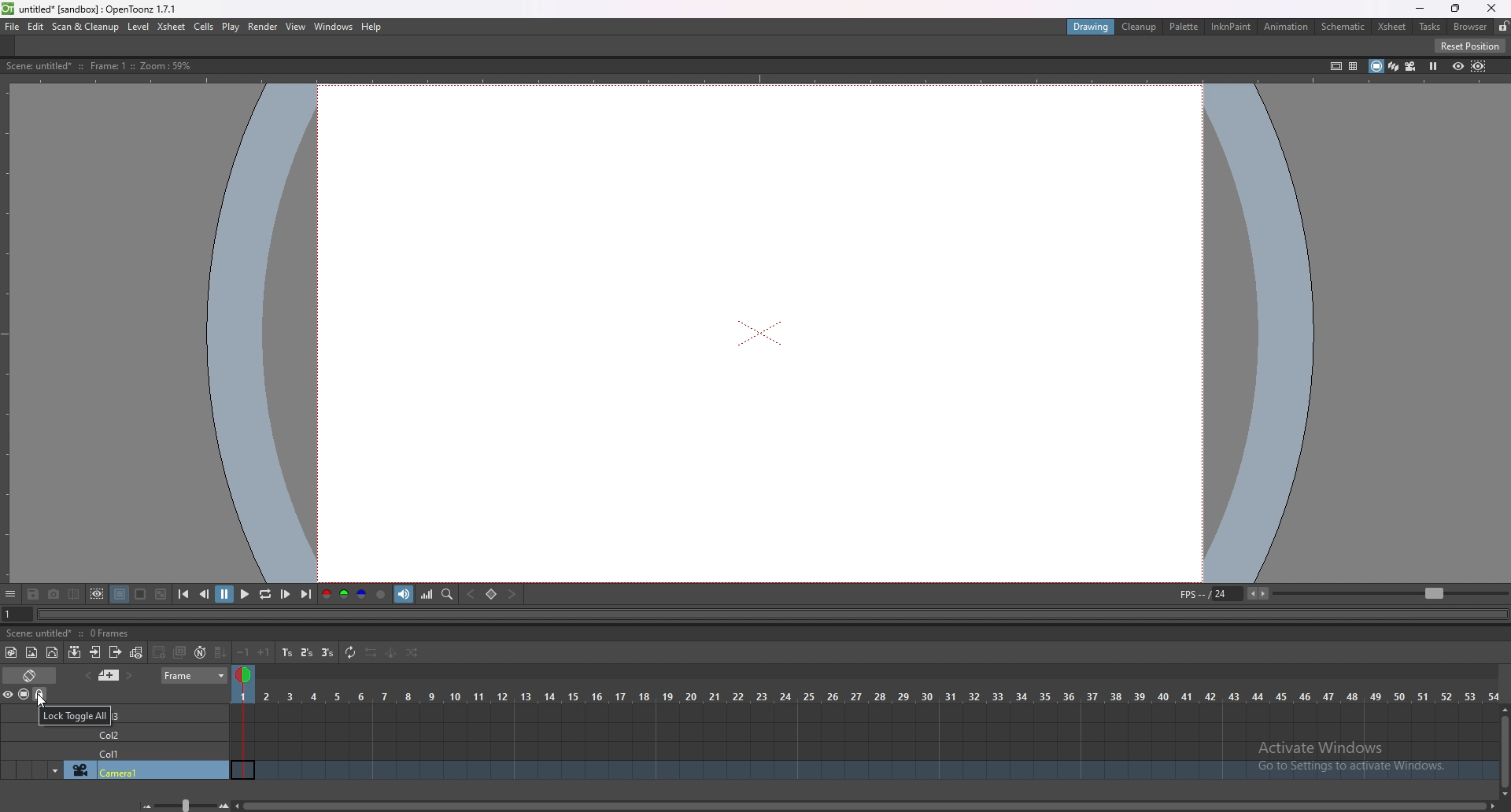 This screenshot has height=812, width=1511. What do you see at coordinates (181, 651) in the screenshot?
I see `duplicate drawing` at bounding box center [181, 651].